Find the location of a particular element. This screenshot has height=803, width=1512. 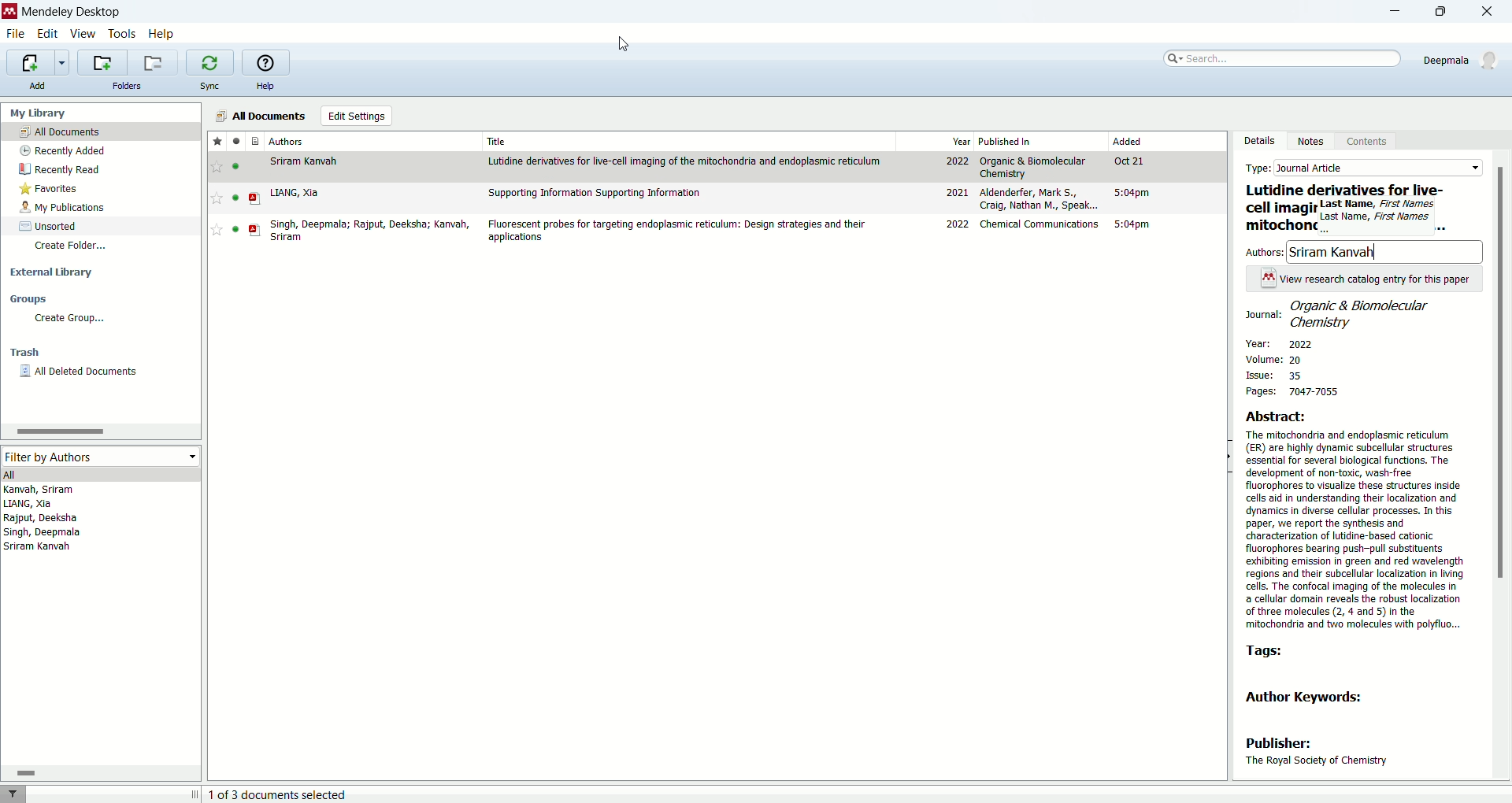

title is located at coordinates (496, 141).